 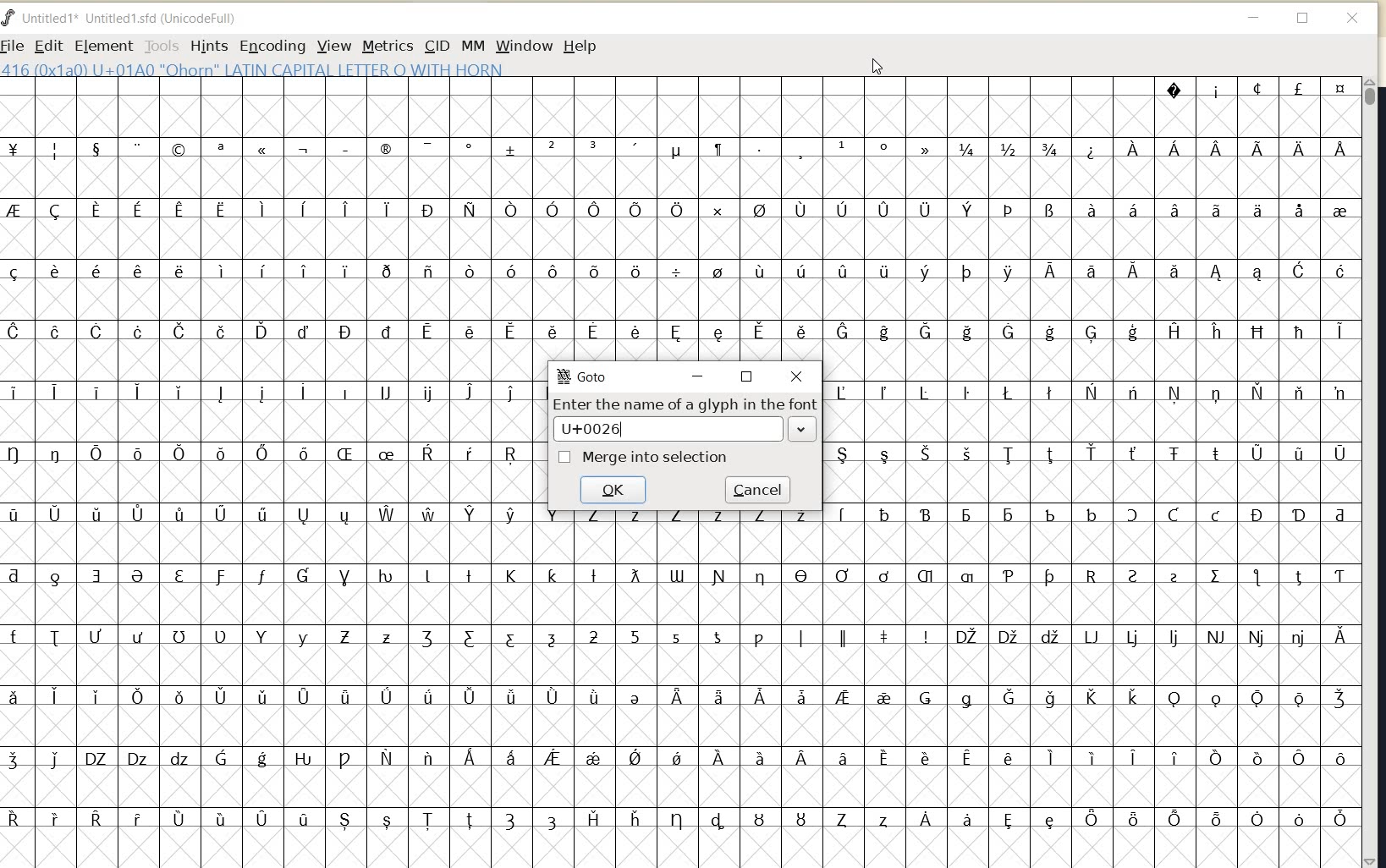 I want to click on ENCODING, so click(x=272, y=47).